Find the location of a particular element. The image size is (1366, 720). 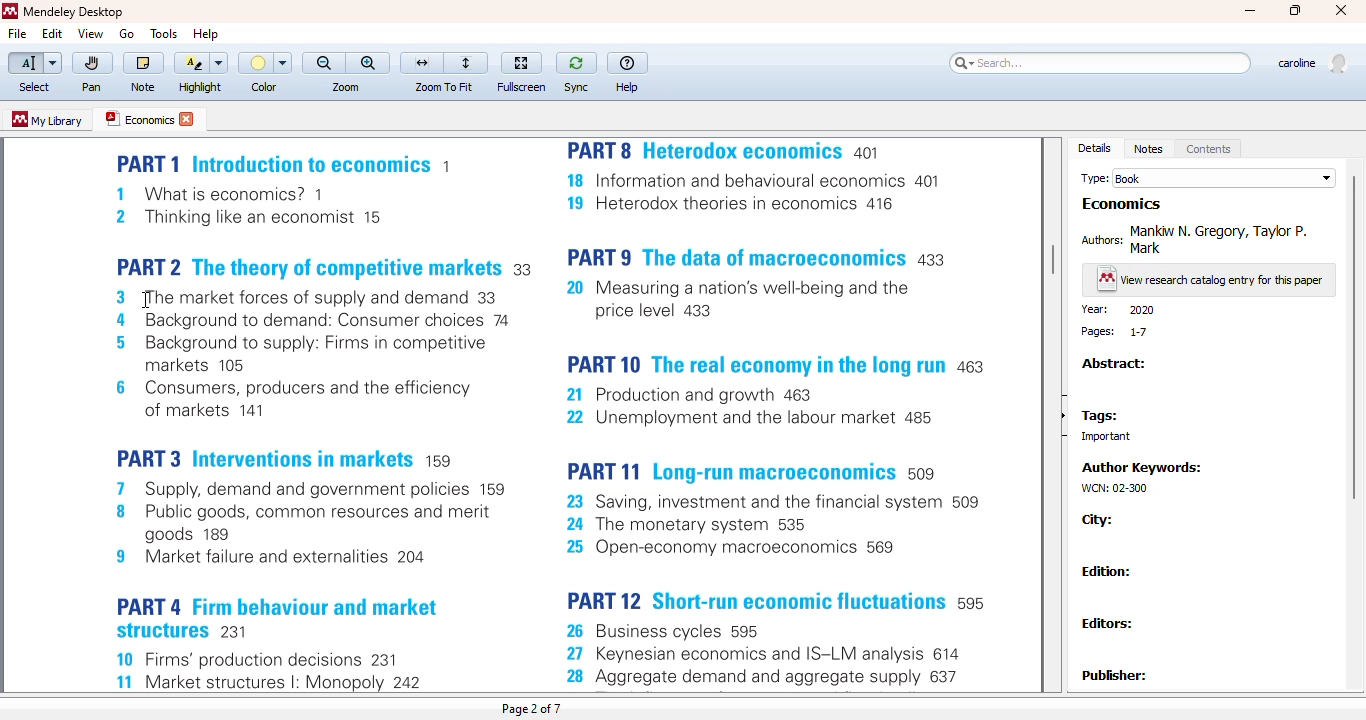

Pan is located at coordinates (90, 89).